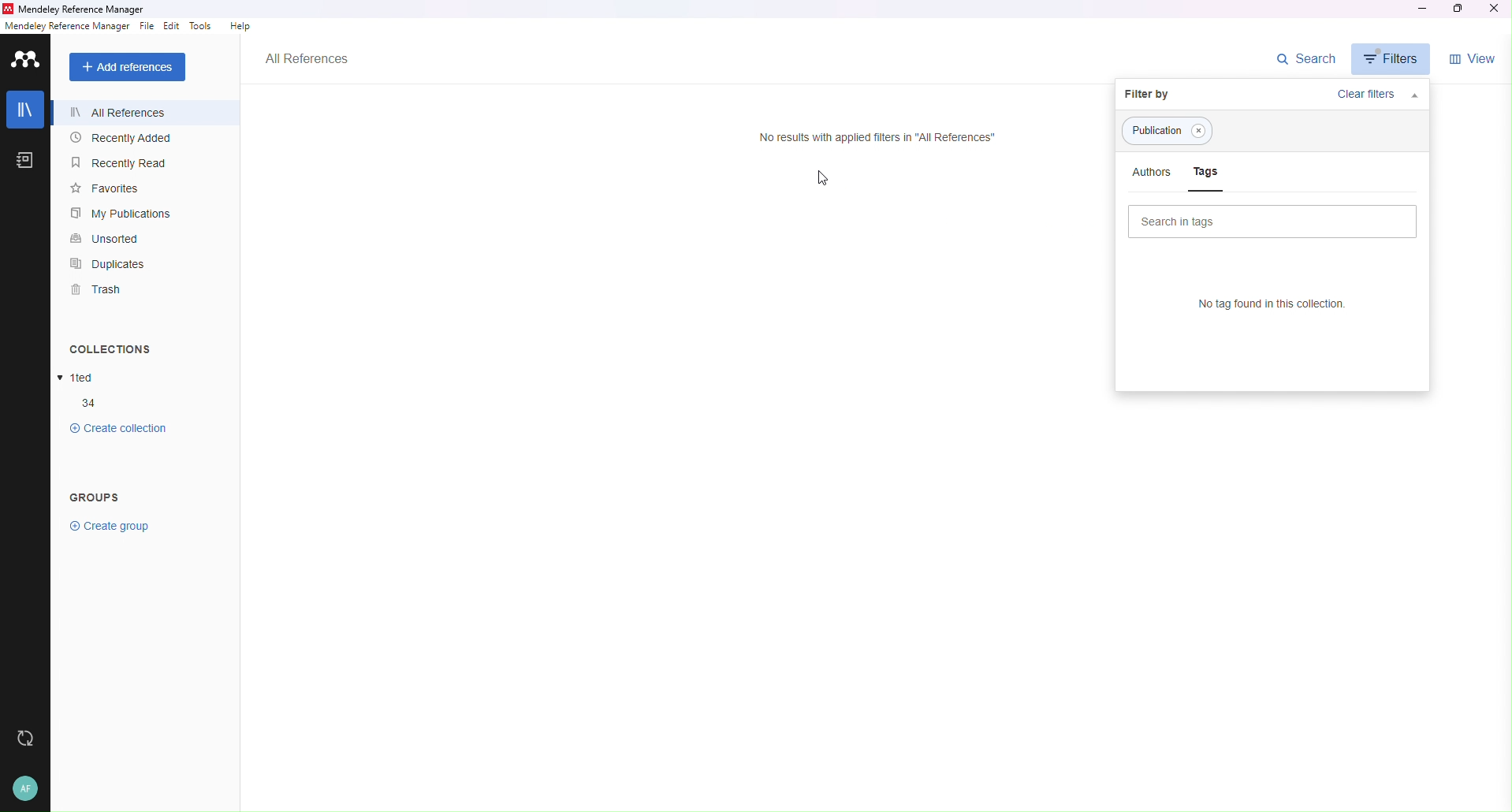 Image resolution: width=1512 pixels, height=812 pixels. I want to click on collections, so click(91, 403).